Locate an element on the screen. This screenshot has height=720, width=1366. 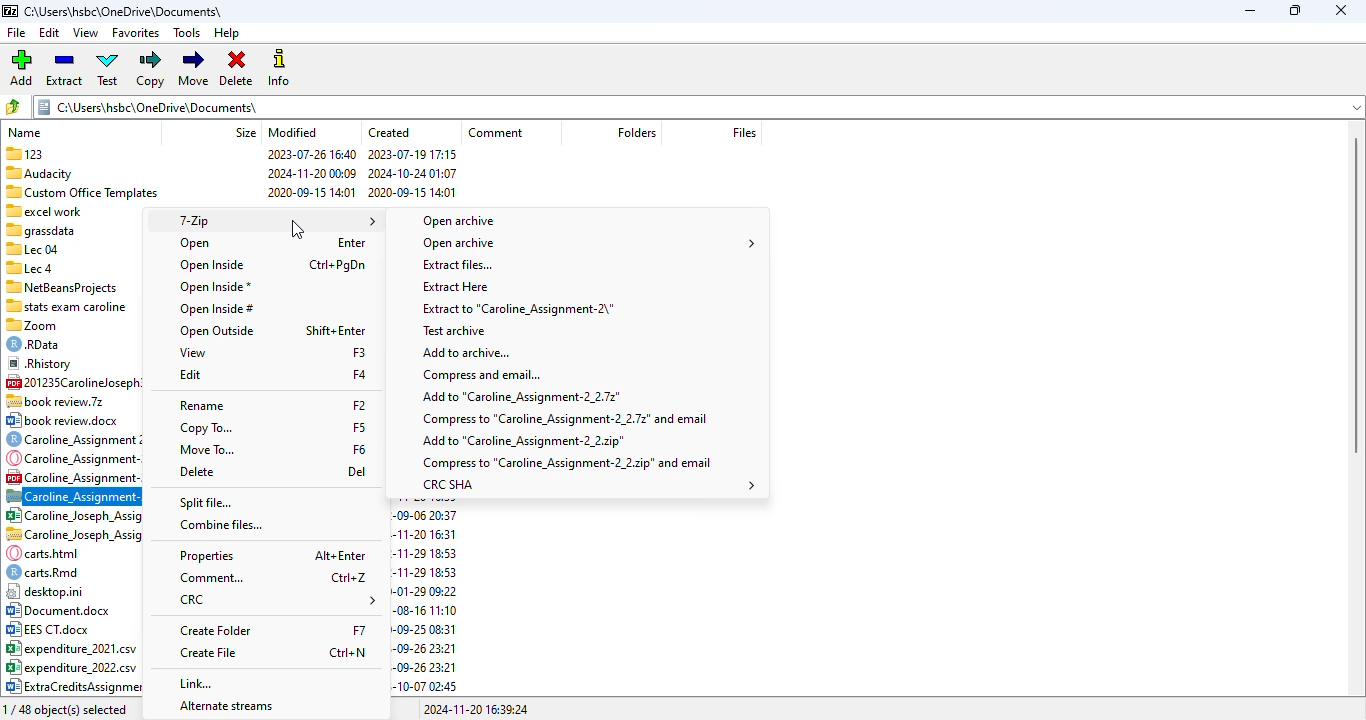
tools is located at coordinates (187, 33).